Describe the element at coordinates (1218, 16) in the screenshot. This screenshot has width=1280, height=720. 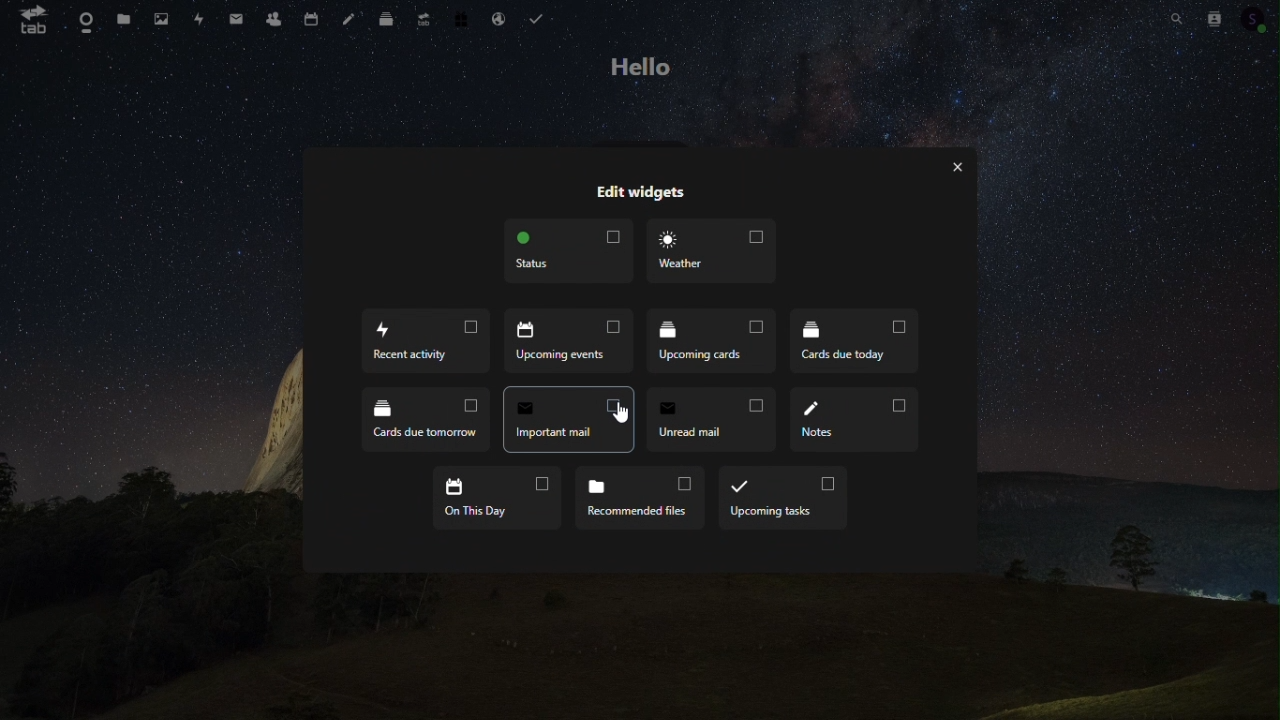
I see `Contacts` at that location.